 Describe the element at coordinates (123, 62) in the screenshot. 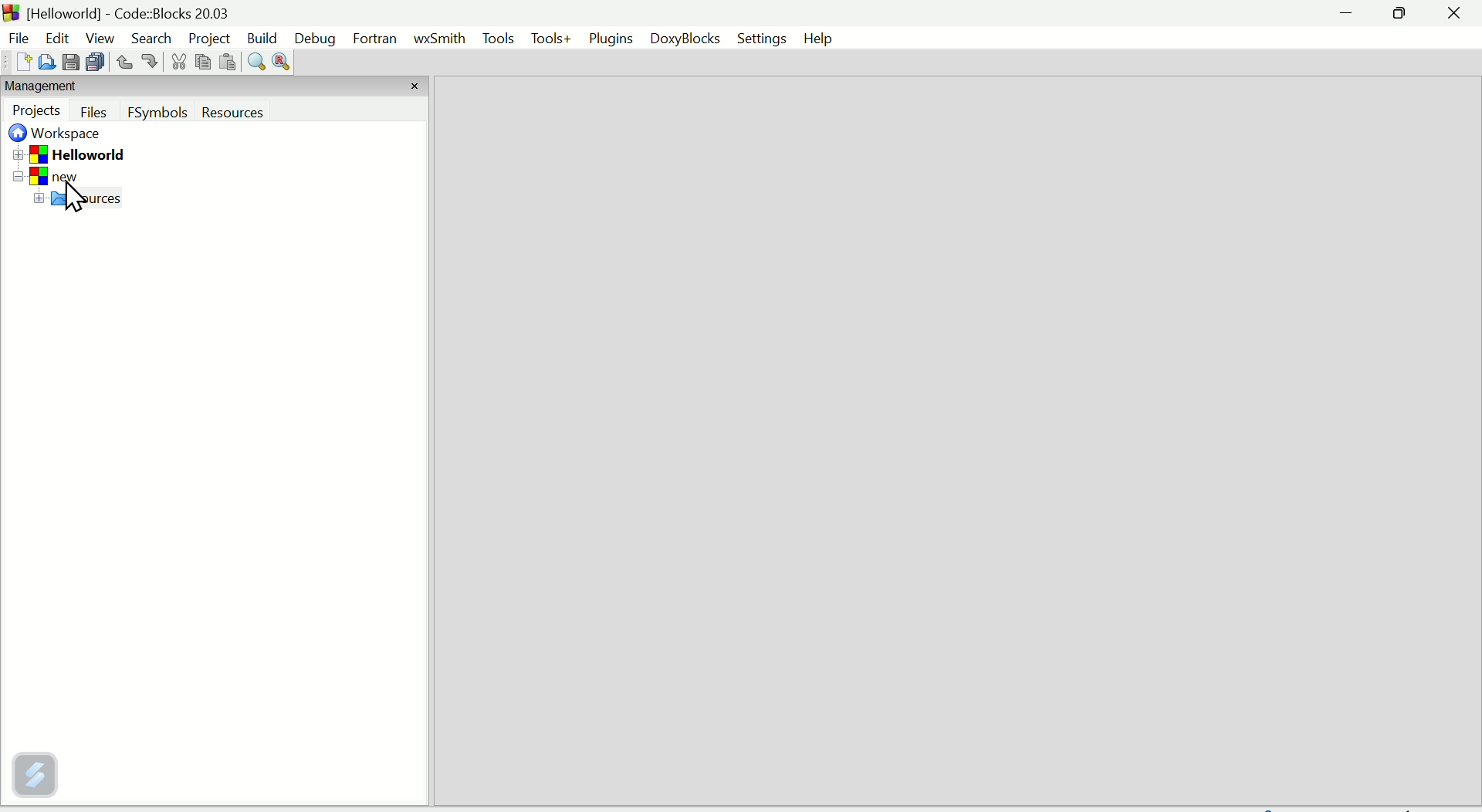

I see `` at that location.